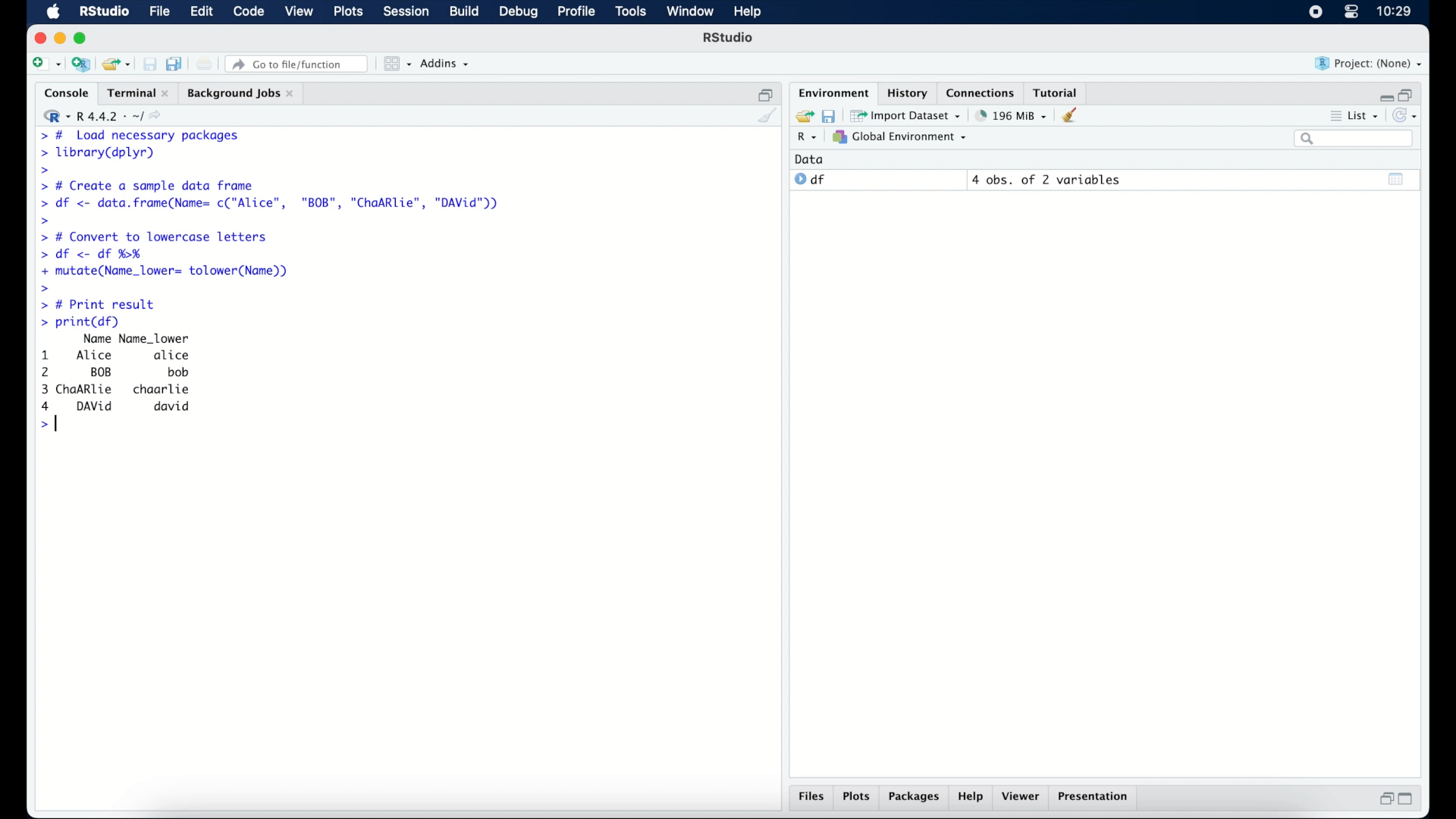 Image resolution: width=1456 pixels, height=819 pixels. What do you see at coordinates (45, 288) in the screenshot?
I see `command prompt` at bounding box center [45, 288].